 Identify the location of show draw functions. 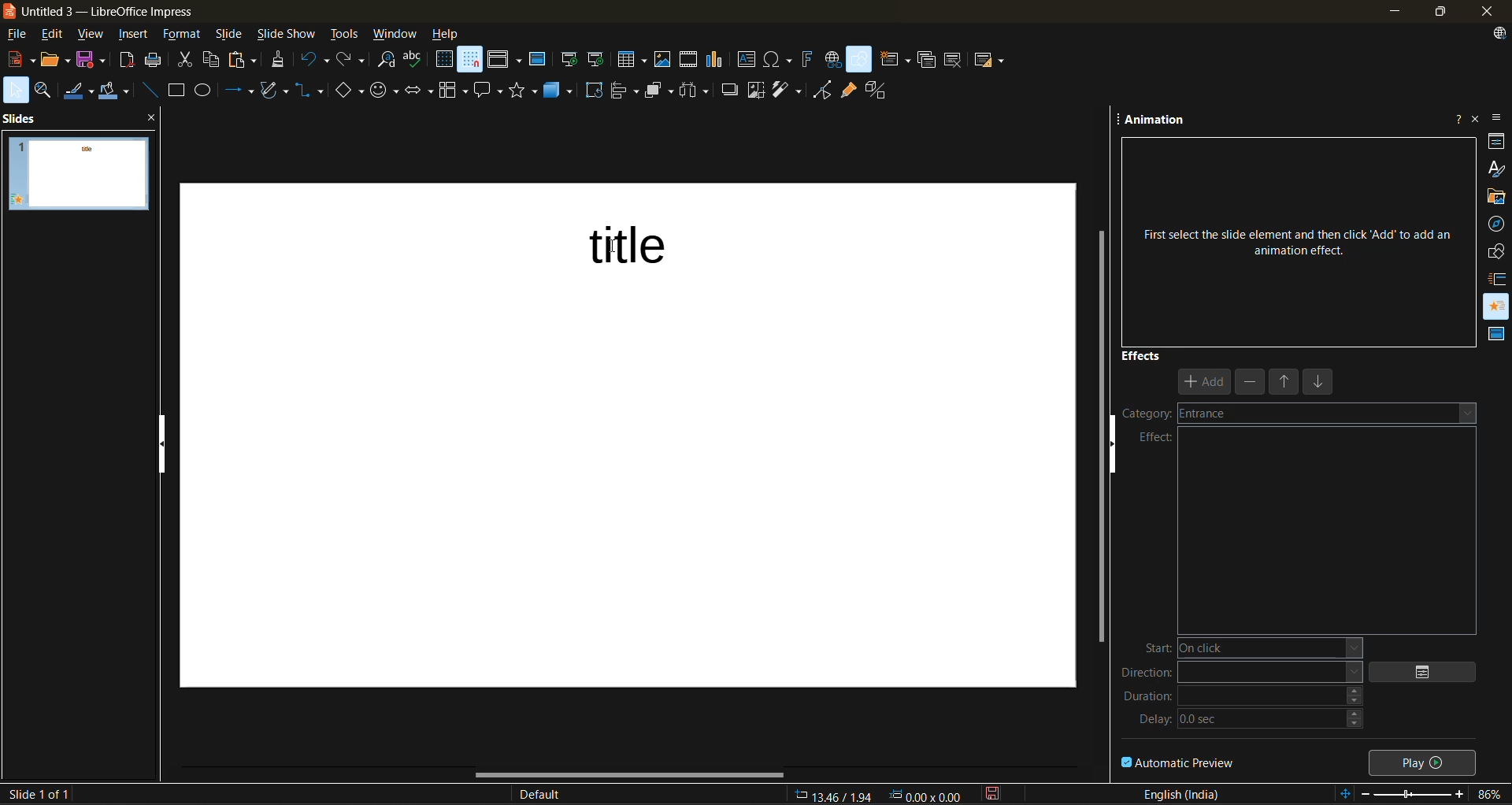
(861, 57).